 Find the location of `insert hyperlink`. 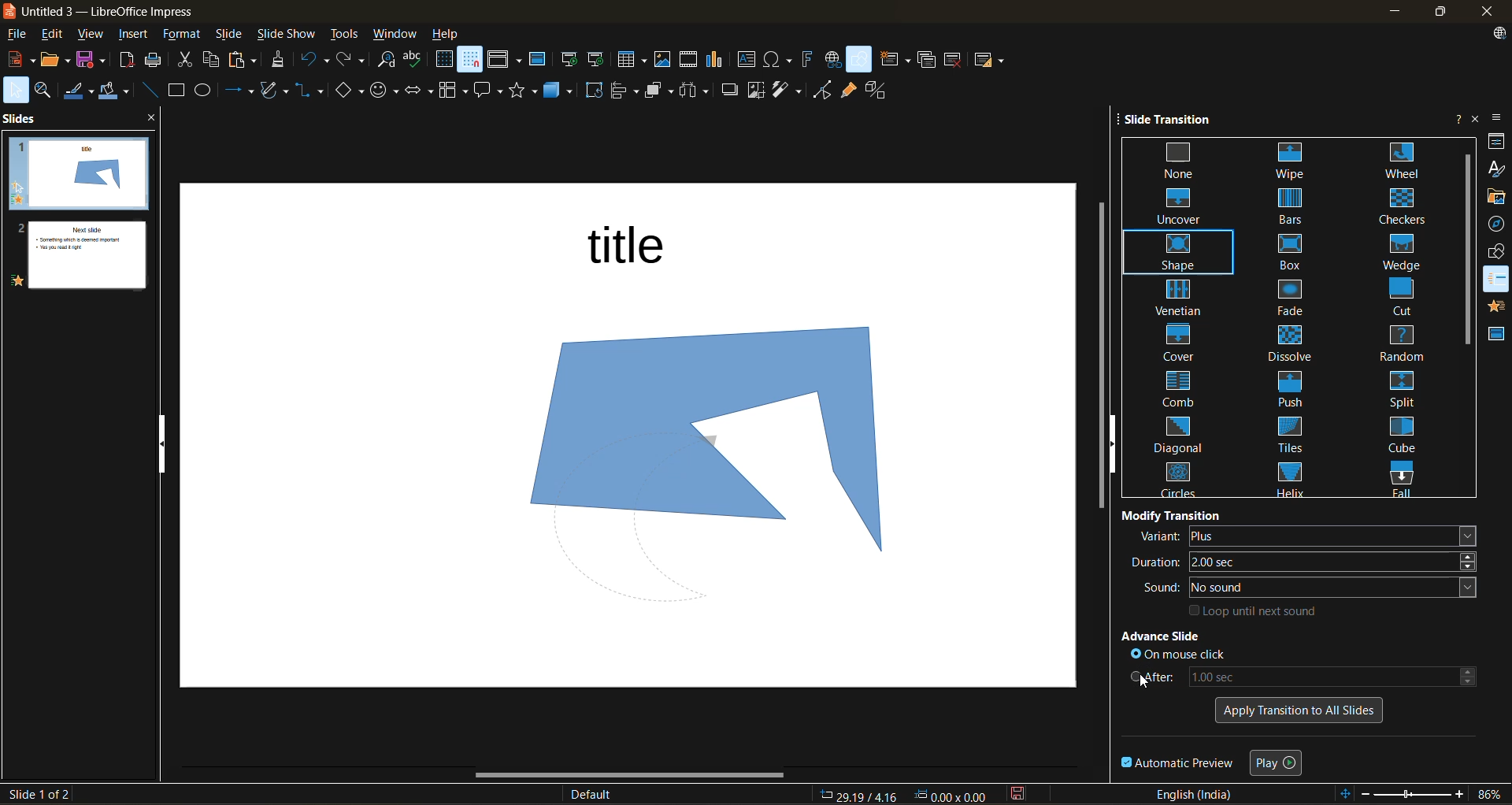

insert hyperlink is located at coordinates (834, 60).